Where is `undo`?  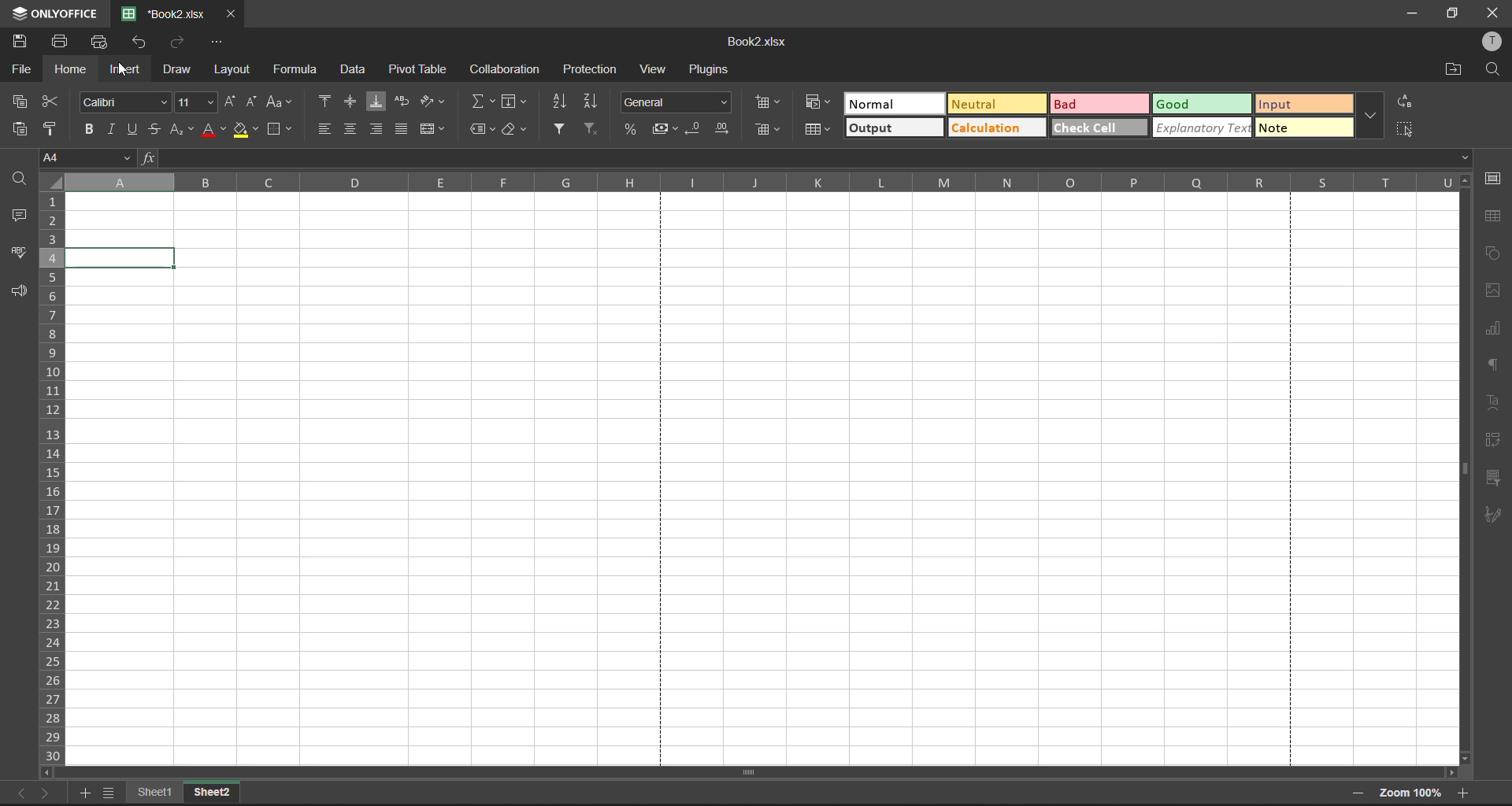
undo is located at coordinates (141, 46).